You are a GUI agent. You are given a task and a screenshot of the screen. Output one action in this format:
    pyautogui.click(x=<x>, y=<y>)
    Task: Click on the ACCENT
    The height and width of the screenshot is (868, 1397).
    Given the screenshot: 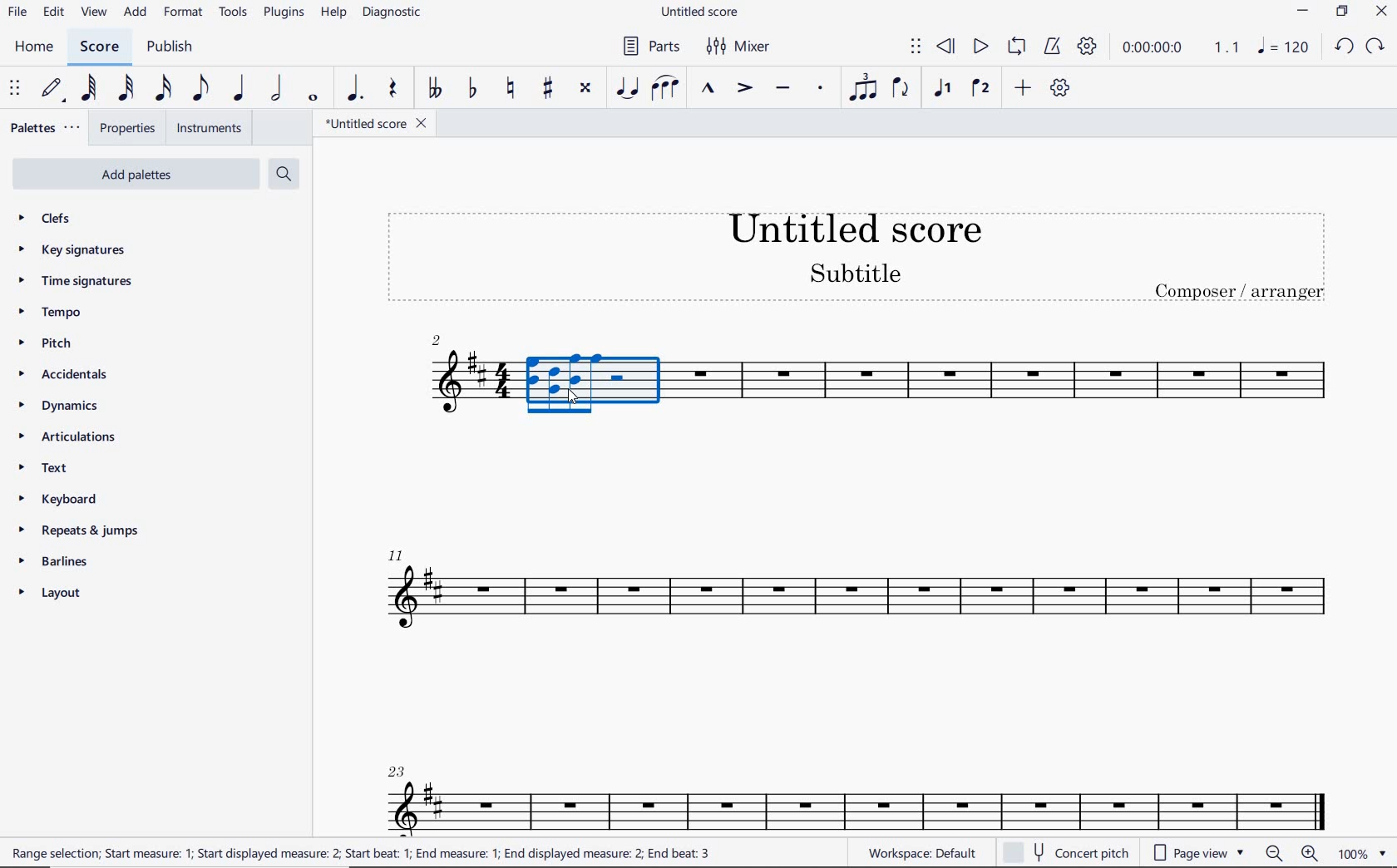 What is the action you would take?
    pyautogui.click(x=743, y=90)
    